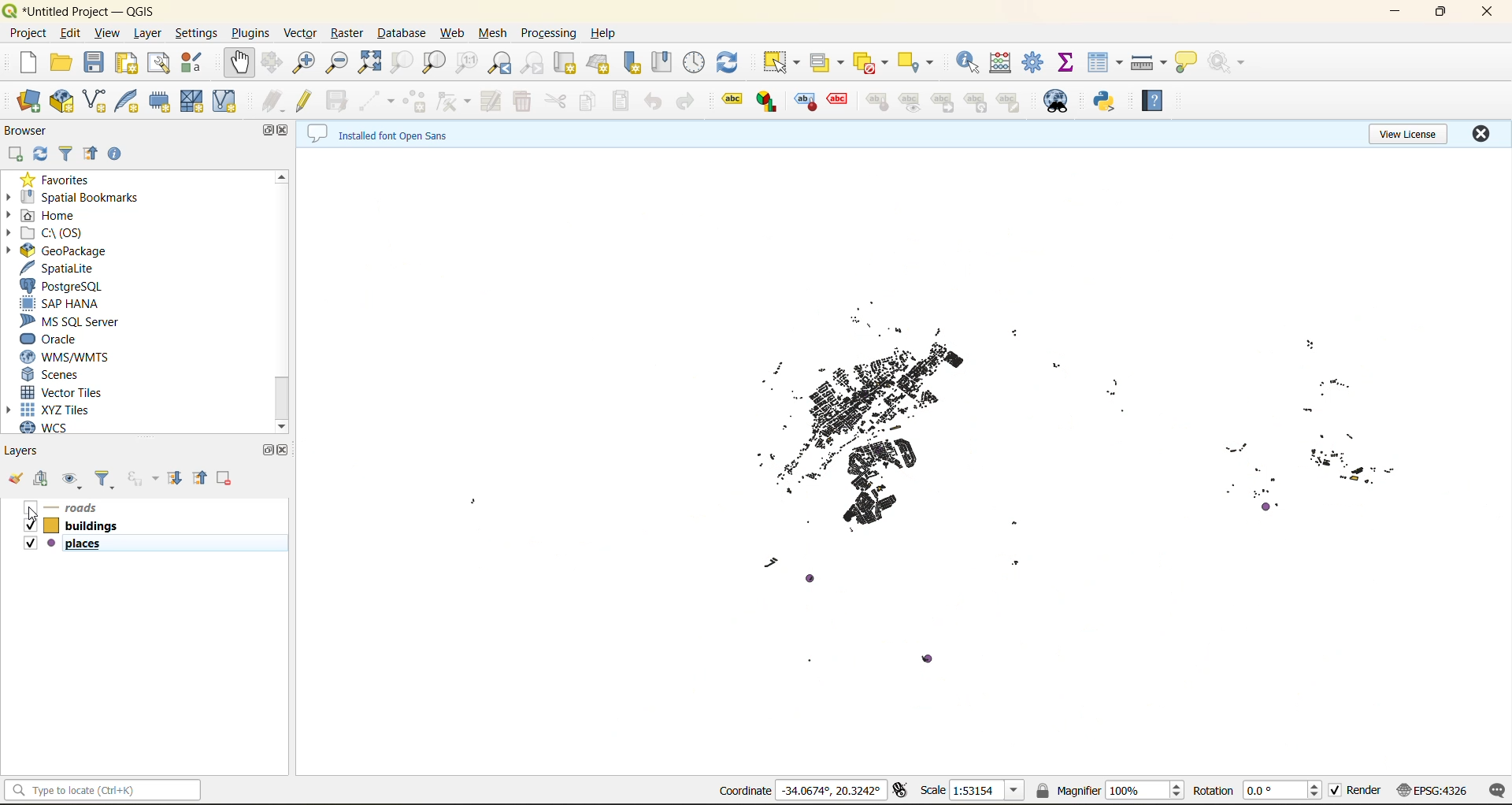 This screenshot has height=805, width=1512. Describe the element at coordinates (32, 133) in the screenshot. I see `browser` at that location.